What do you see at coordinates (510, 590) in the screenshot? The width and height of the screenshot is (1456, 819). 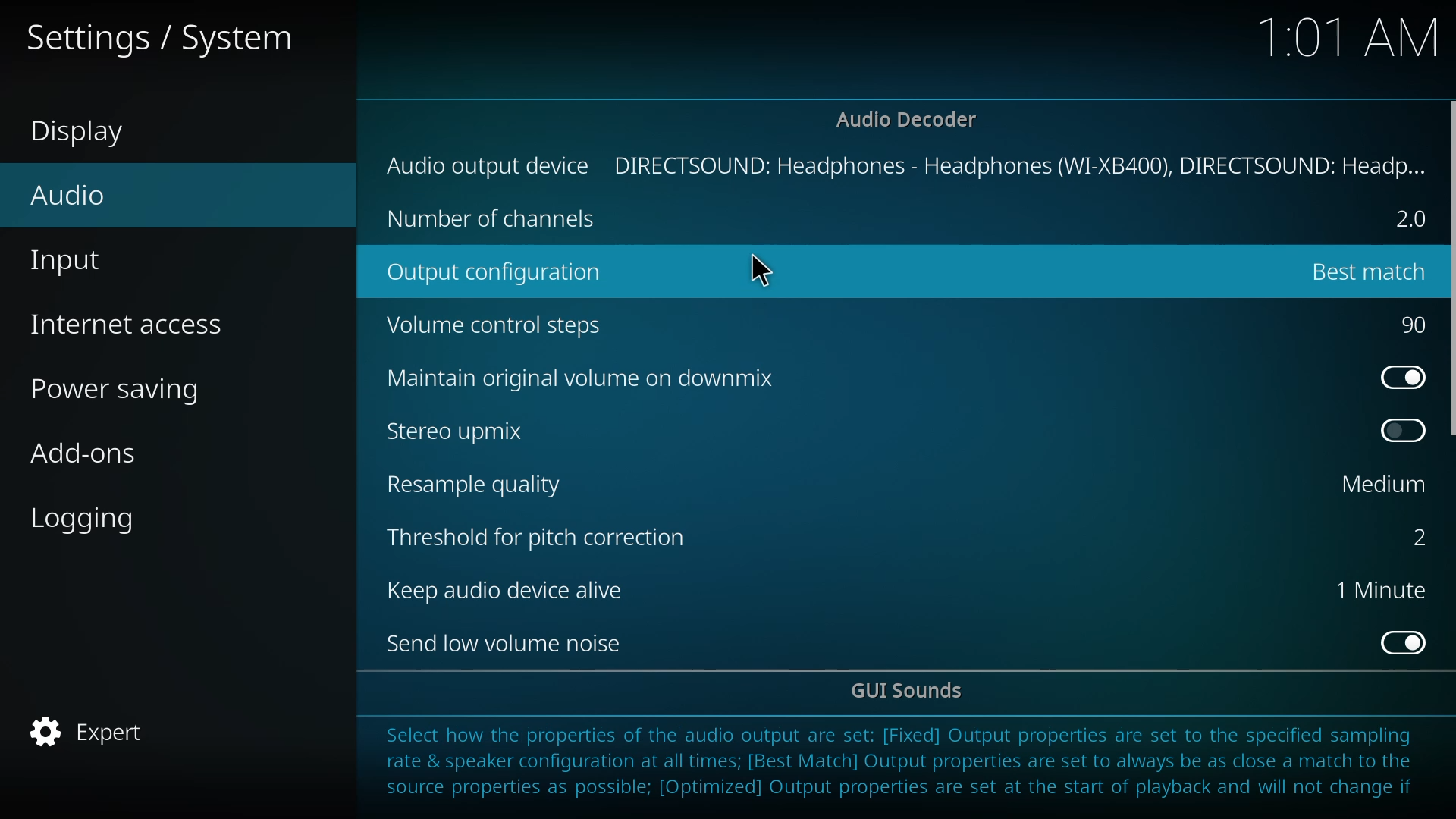 I see `keep audio` at bounding box center [510, 590].